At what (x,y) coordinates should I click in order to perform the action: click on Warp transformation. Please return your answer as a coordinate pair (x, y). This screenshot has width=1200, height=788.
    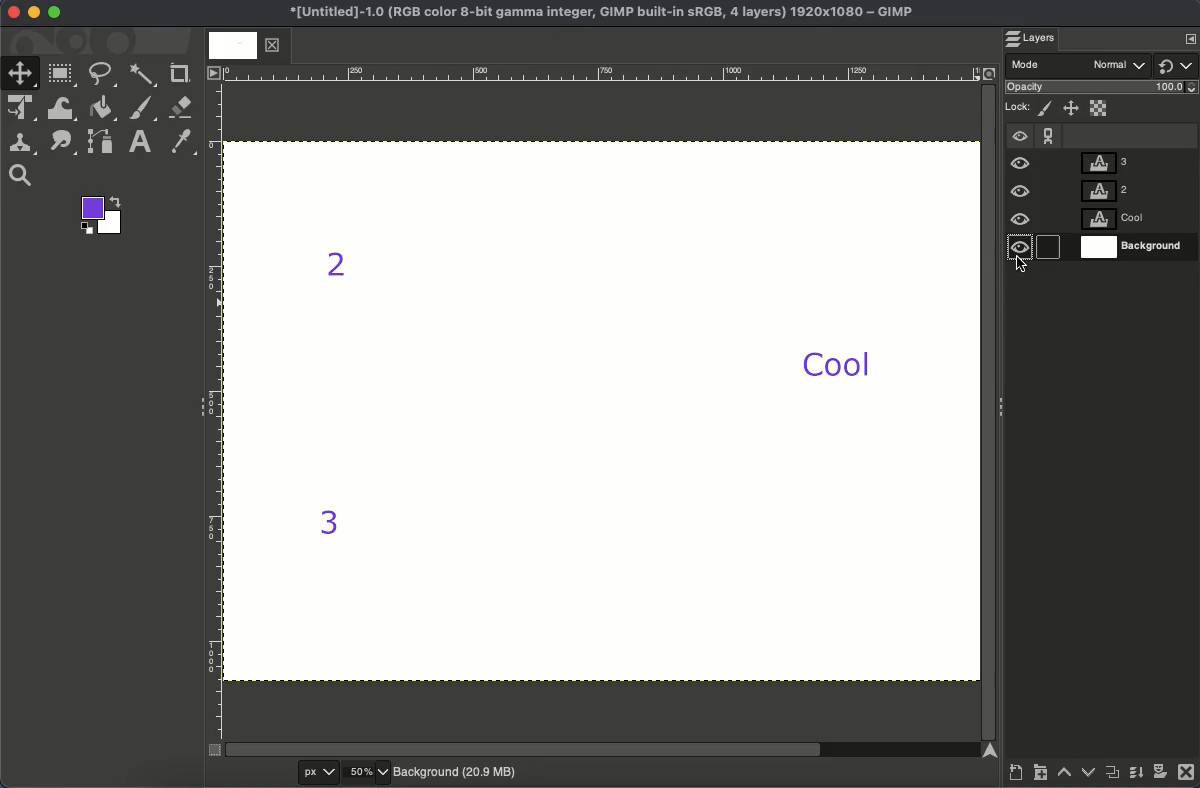
    Looking at the image, I should click on (63, 110).